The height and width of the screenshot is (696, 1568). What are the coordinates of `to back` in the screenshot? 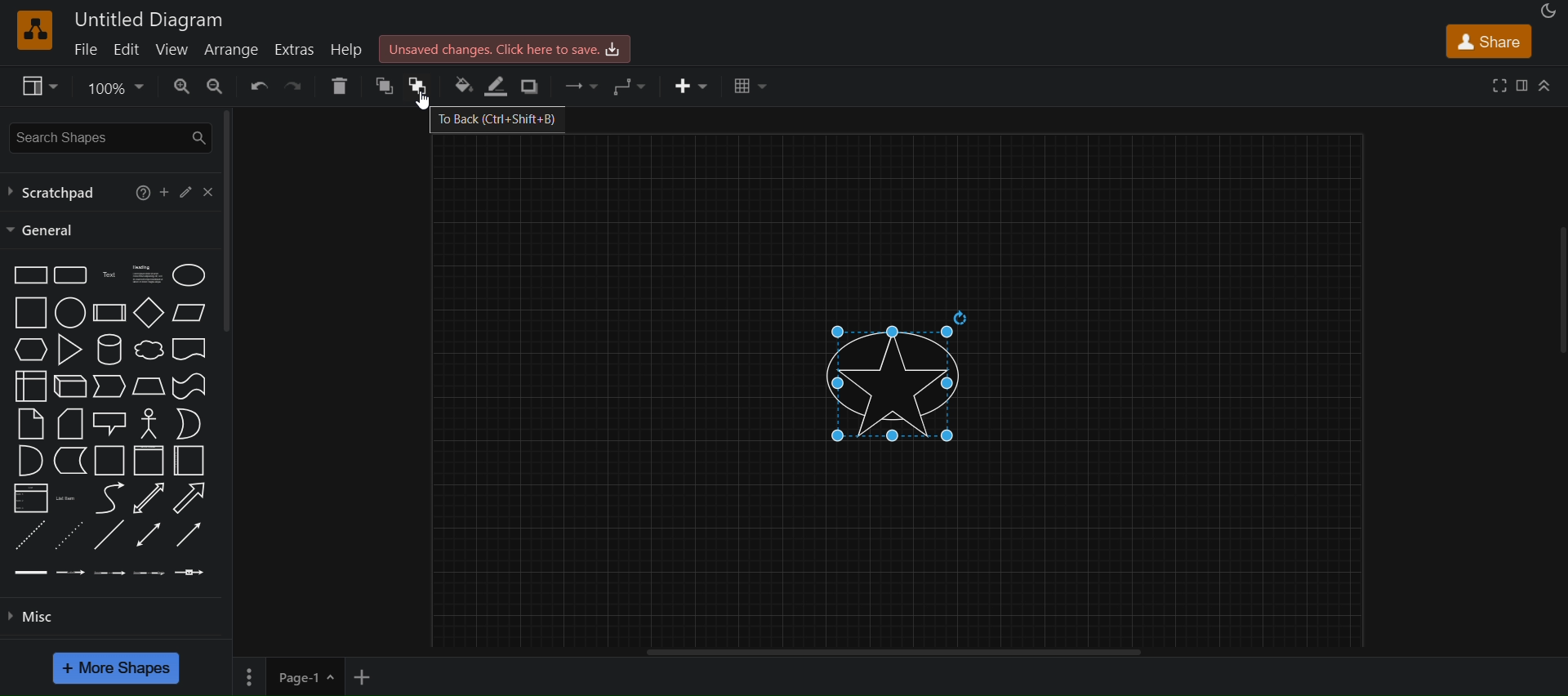 It's located at (416, 87).